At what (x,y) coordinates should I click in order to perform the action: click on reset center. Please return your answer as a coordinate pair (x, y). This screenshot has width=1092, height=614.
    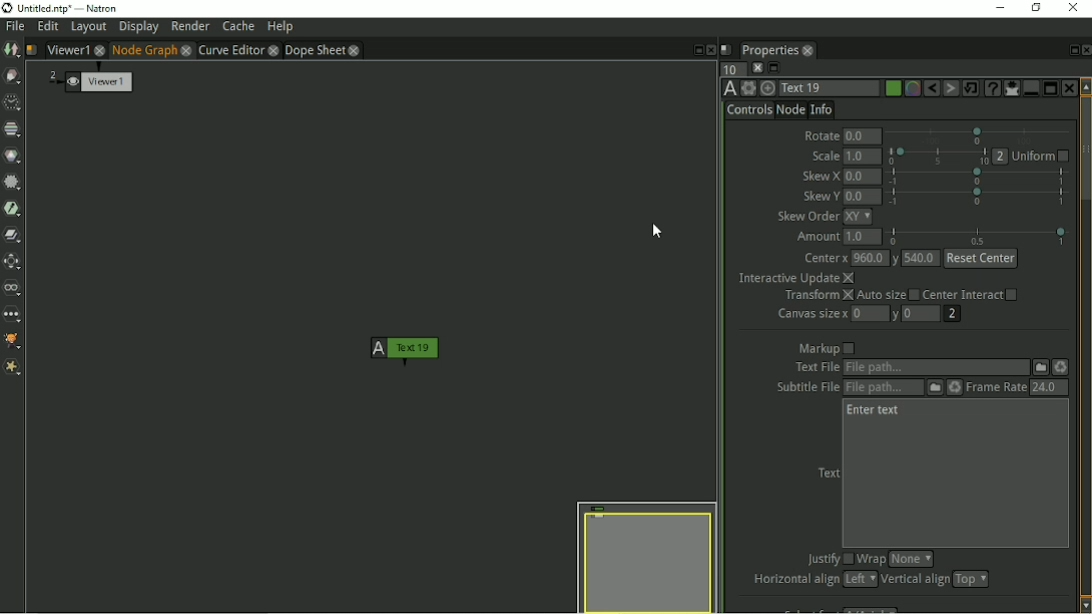
    Looking at the image, I should click on (981, 257).